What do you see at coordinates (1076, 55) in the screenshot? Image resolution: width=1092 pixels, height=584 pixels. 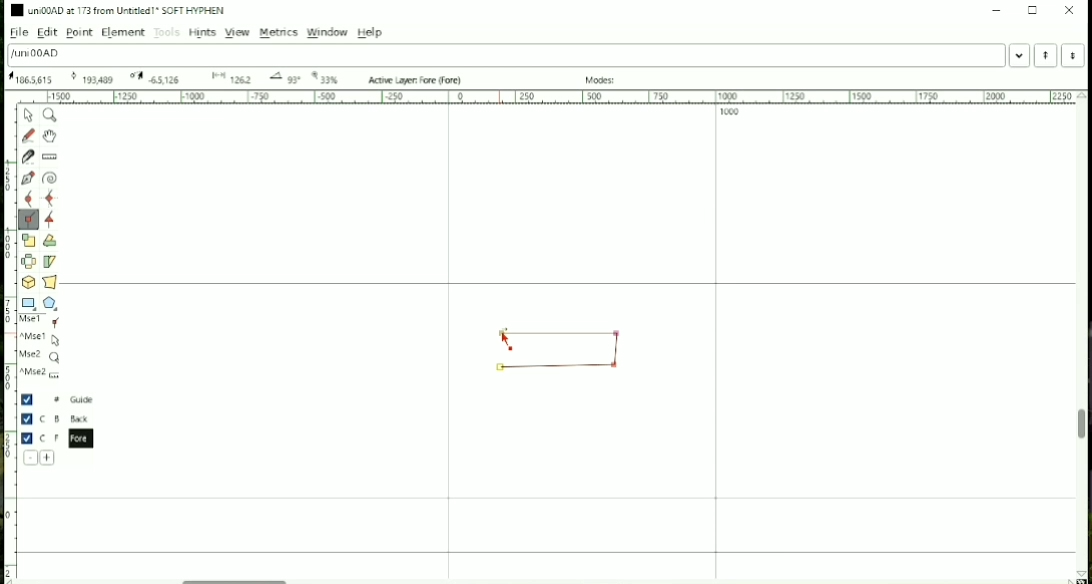 I see `Next Word` at bounding box center [1076, 55].